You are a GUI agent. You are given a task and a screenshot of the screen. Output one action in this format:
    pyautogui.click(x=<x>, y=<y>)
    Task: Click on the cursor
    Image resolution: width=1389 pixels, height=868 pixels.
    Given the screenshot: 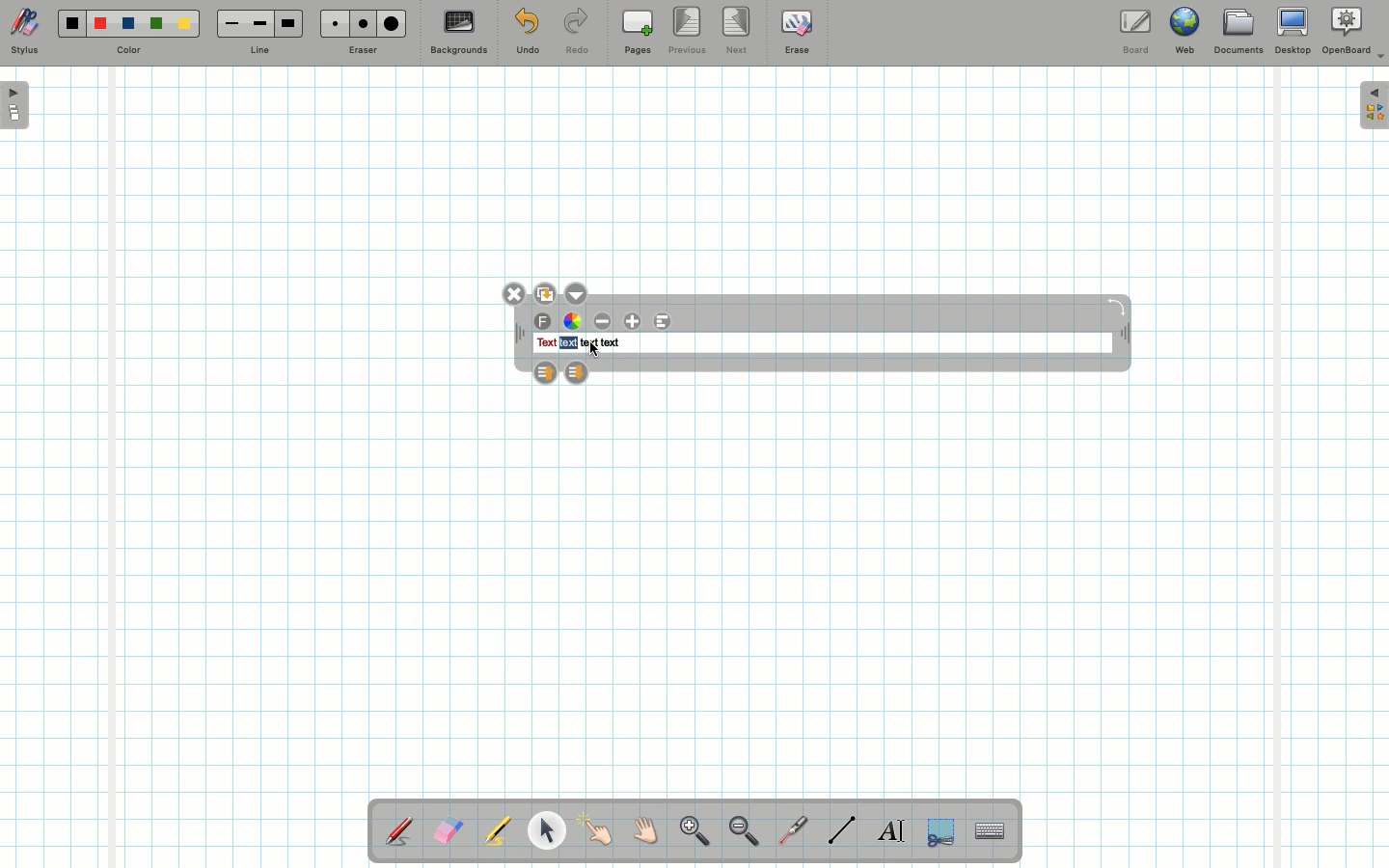 What is the action you would take?
    pyautogui.click(x=595, y=350)
    